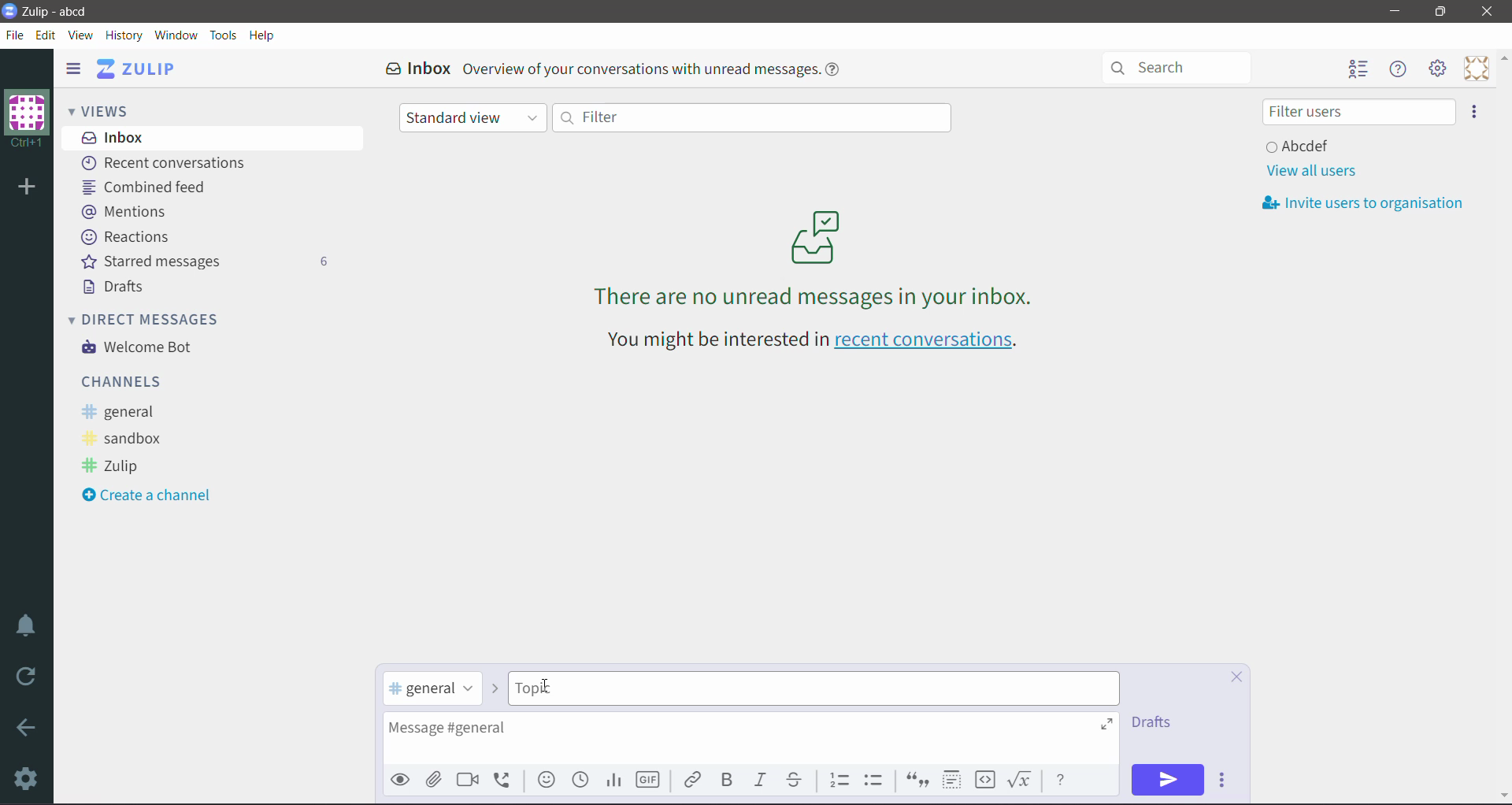  What do you see at coordinates (128, 440) in the screenshot?
I see `sandbox` at bounding box center [128, 440].